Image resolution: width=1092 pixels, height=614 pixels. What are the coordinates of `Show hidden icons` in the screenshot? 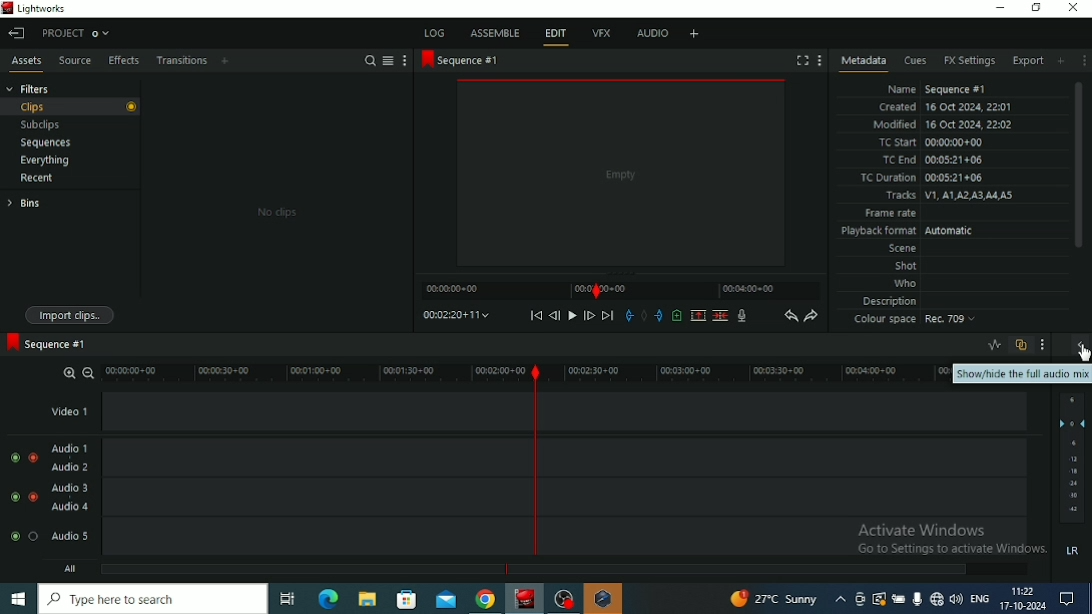 It's located at (840, 599).